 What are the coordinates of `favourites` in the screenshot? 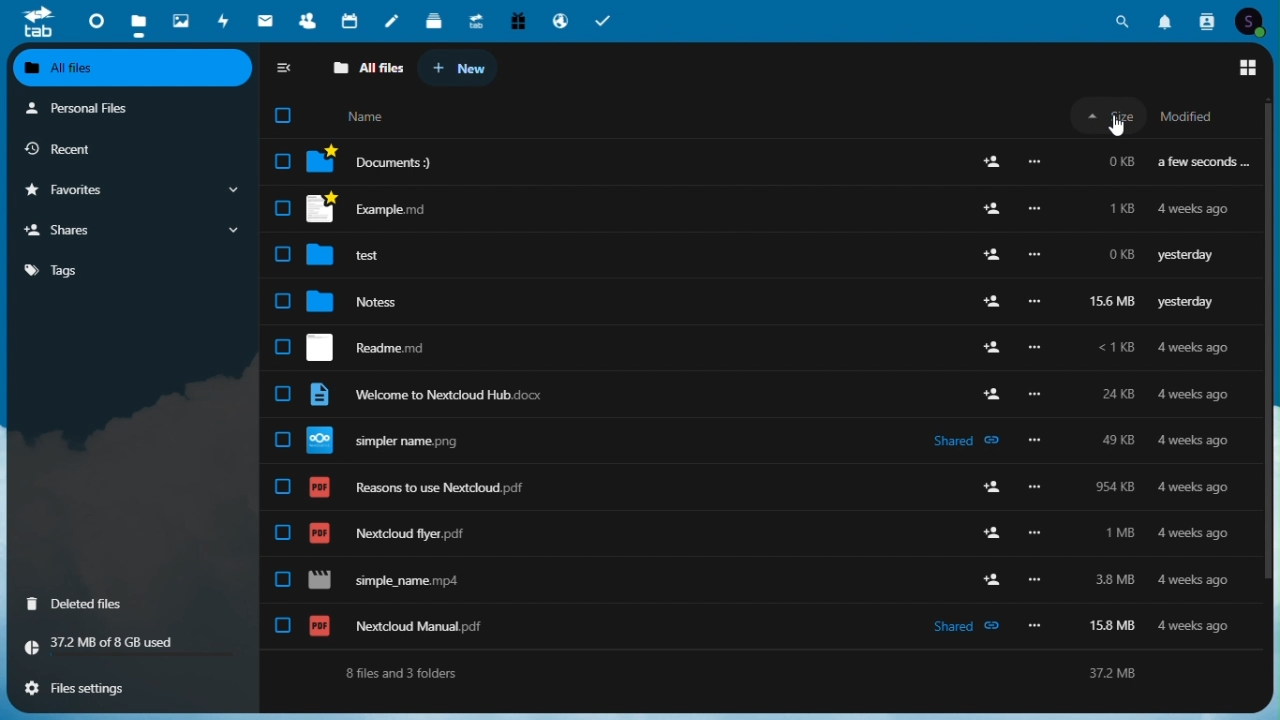 It's located at (128, 192).